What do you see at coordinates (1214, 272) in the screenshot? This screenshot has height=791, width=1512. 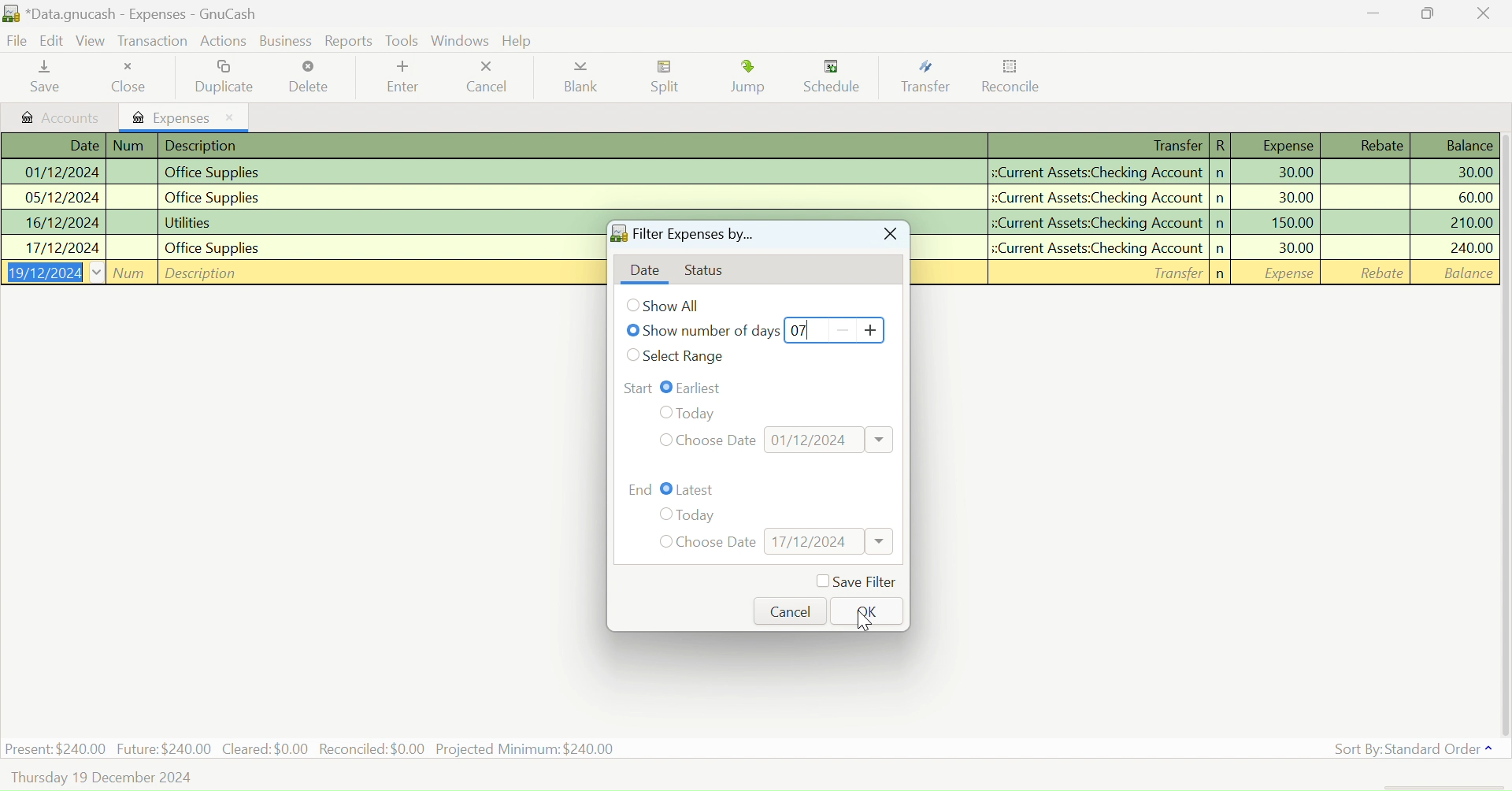 I see `New Entry Field` at bounding box center [1214, 272].